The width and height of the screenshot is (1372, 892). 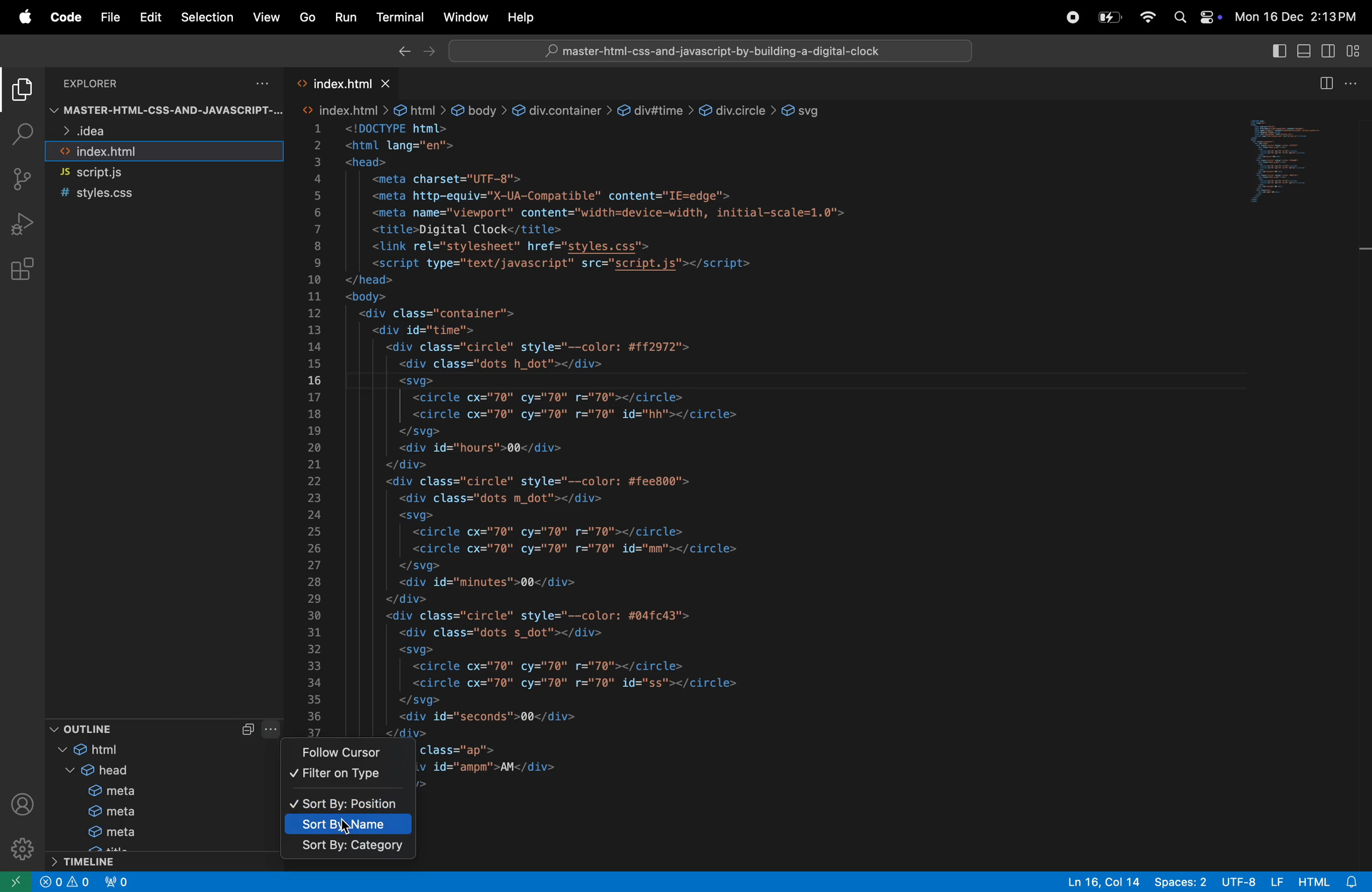 What do you see at coordinates (1180, 18) in the screenshot?
I see `search` at bounding box center [1180, 18].